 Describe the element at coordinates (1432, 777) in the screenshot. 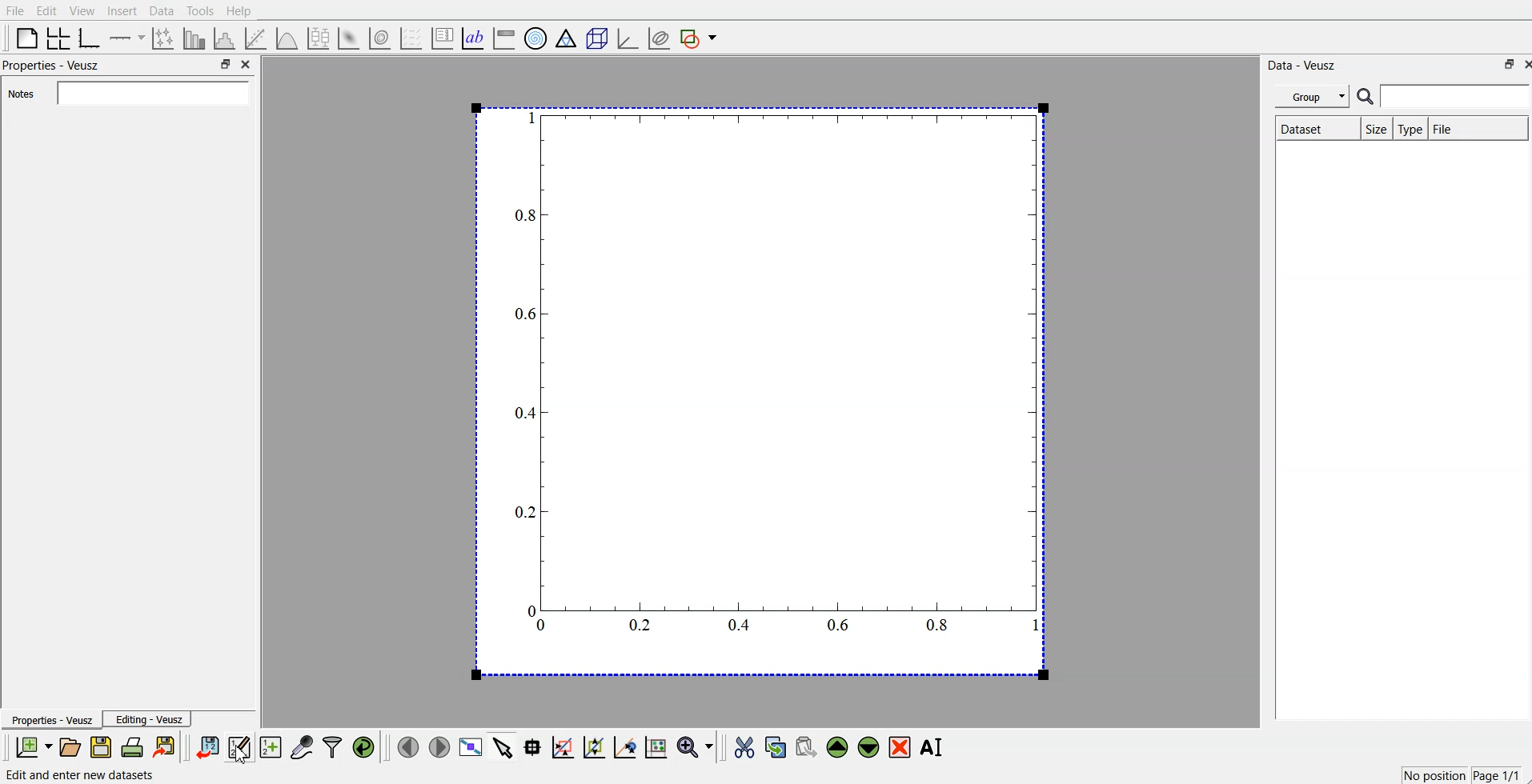

I see `No position` at that location.